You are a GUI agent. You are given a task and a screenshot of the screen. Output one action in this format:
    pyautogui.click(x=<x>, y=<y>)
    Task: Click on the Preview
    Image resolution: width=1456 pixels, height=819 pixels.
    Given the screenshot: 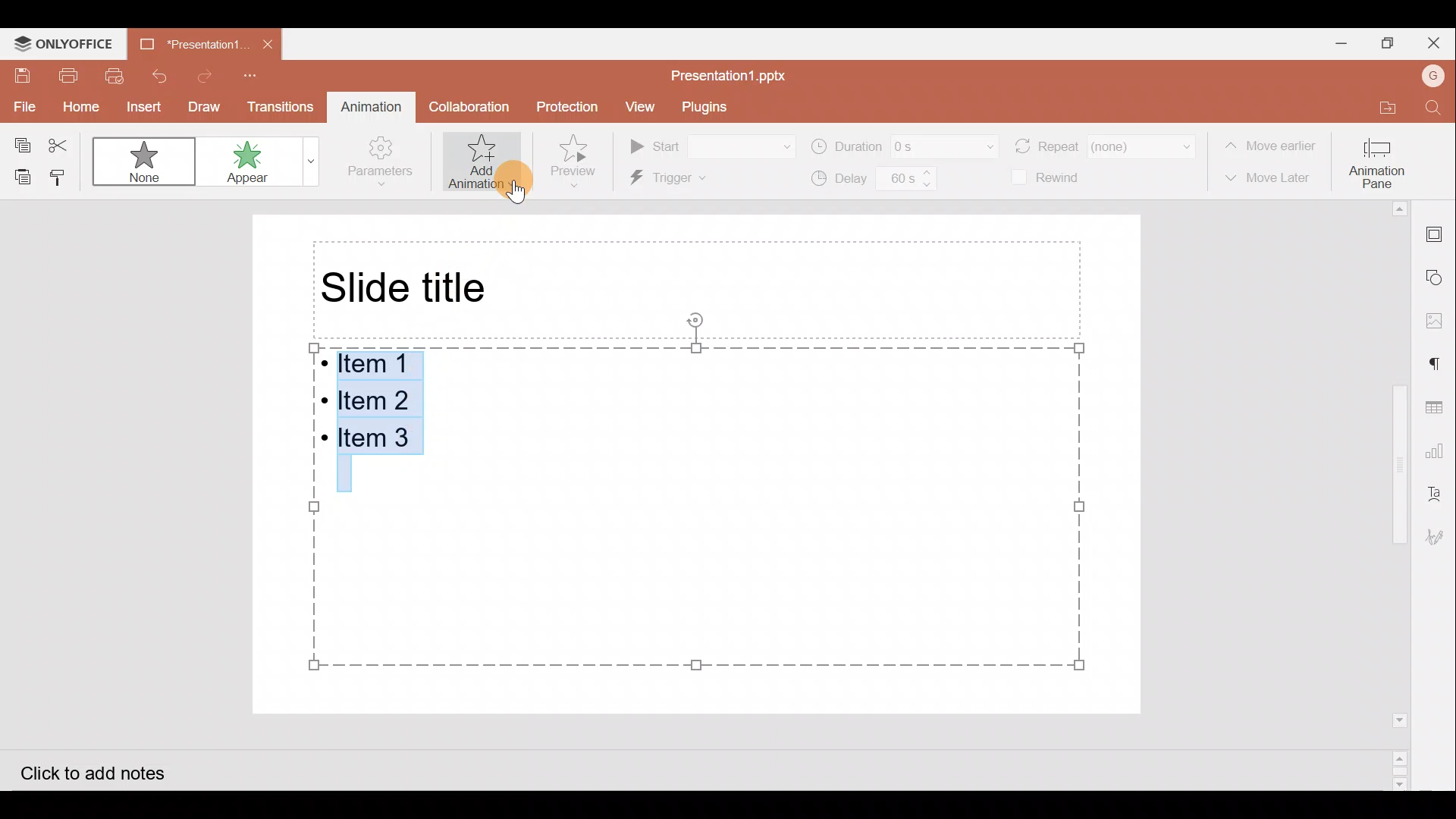 What is the action you would take?
    pyautogui.click(x=579, y=161)
    